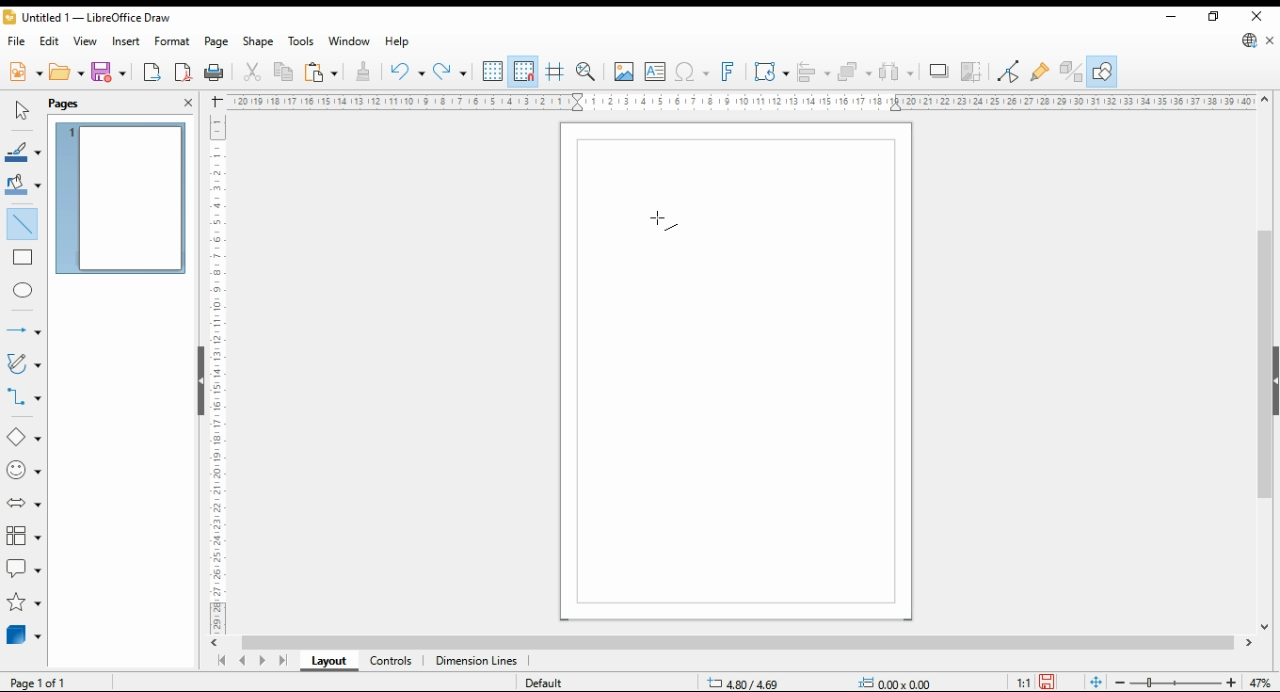 The image size is (1280, 692). I want to click on arrange, so click(854, 71).